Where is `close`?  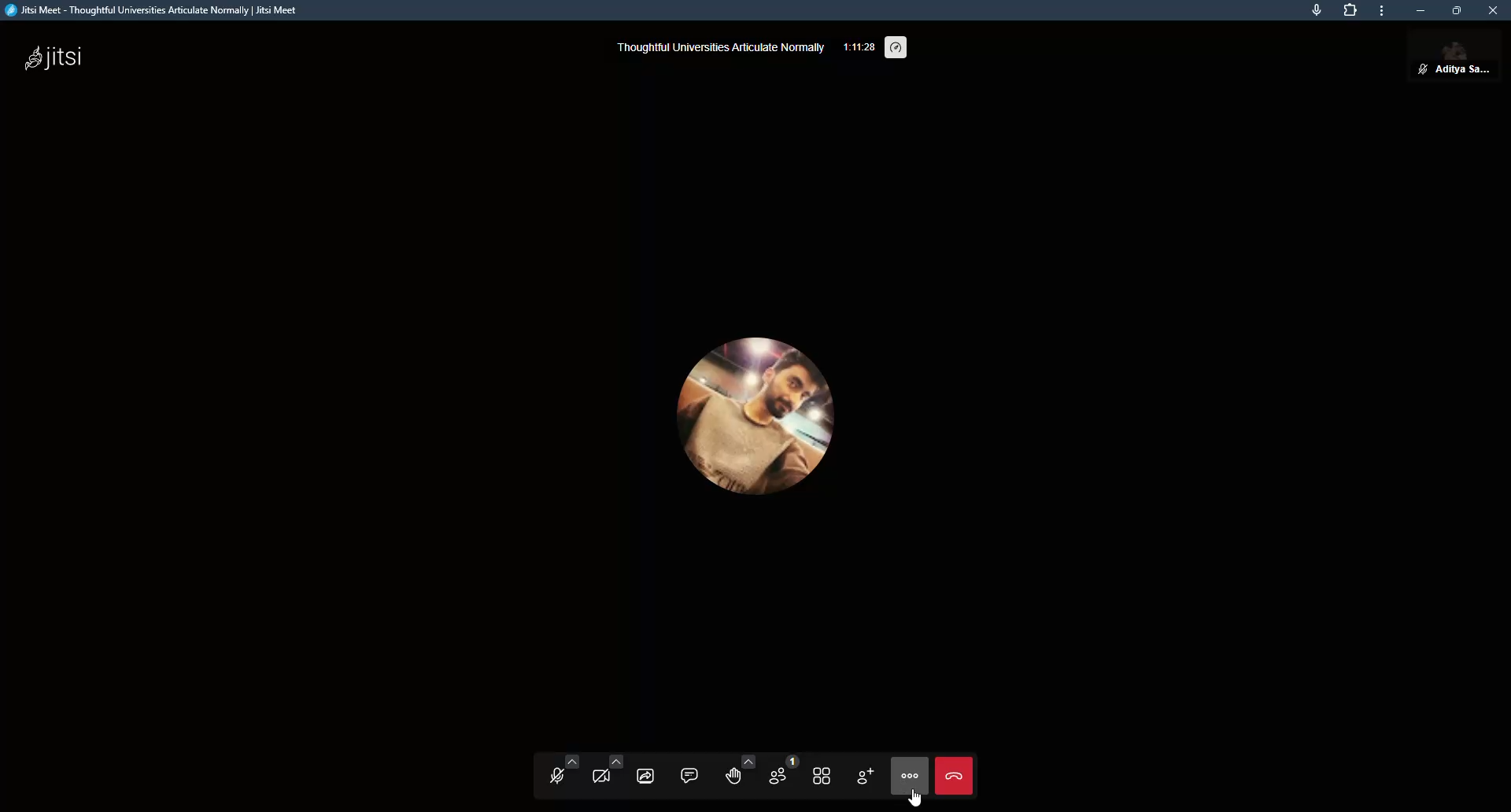
close is located at coordinates (1492, 10).